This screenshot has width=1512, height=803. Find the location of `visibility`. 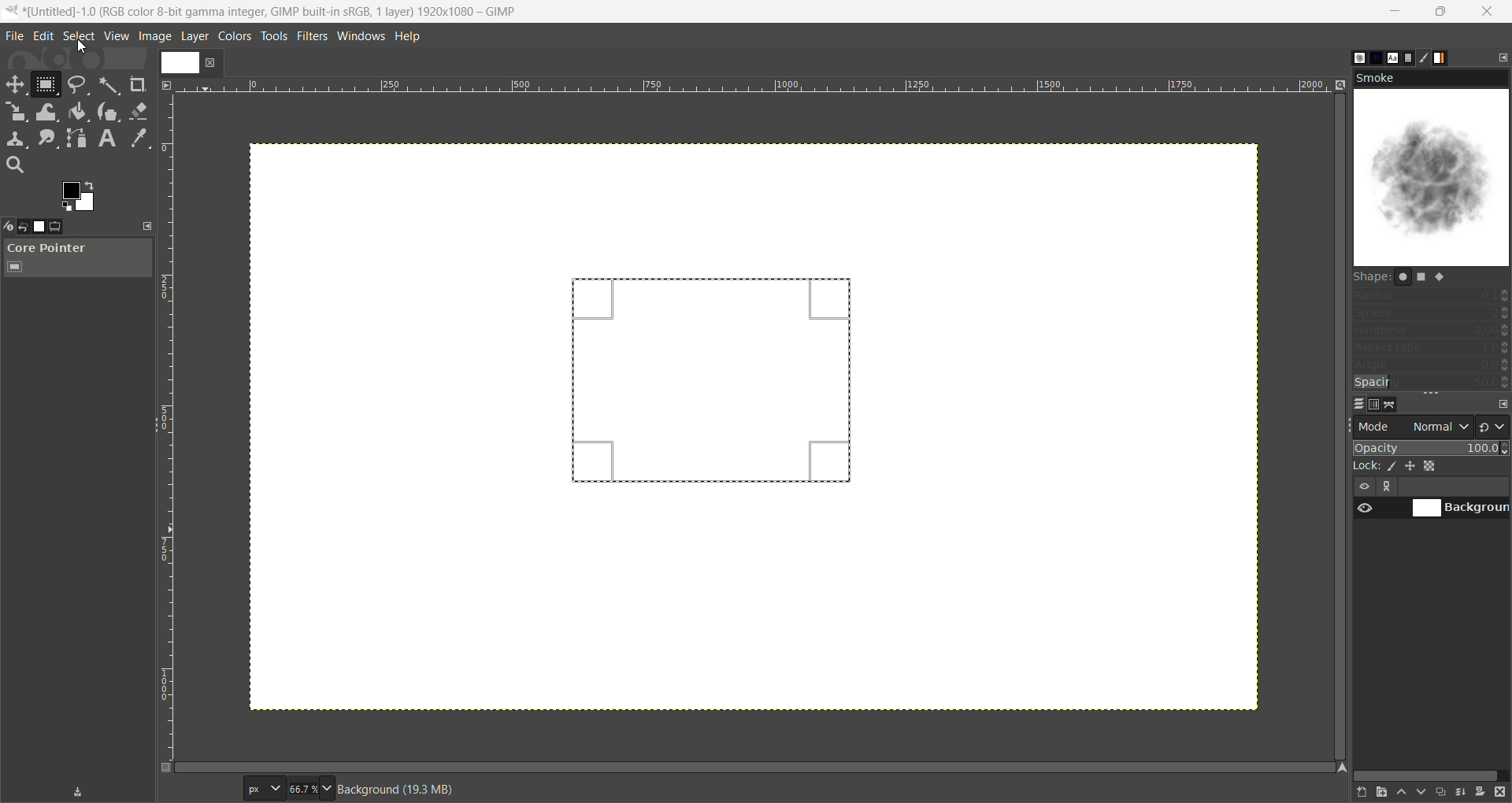

visibility is located at coordinates (1366, 509).